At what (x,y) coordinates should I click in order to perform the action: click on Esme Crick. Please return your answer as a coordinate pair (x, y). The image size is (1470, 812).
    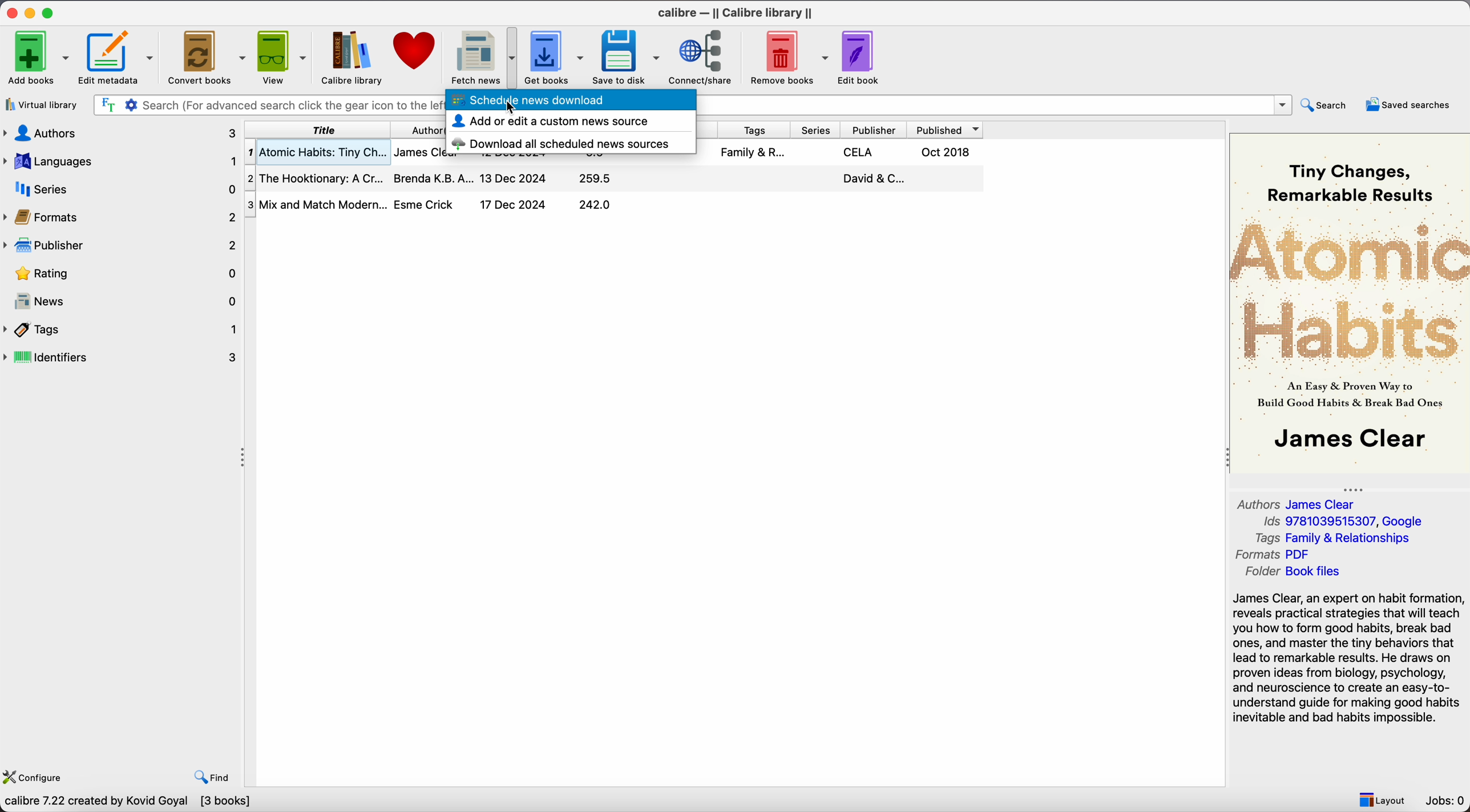
    Looking at the image, I should click on (426, 204).